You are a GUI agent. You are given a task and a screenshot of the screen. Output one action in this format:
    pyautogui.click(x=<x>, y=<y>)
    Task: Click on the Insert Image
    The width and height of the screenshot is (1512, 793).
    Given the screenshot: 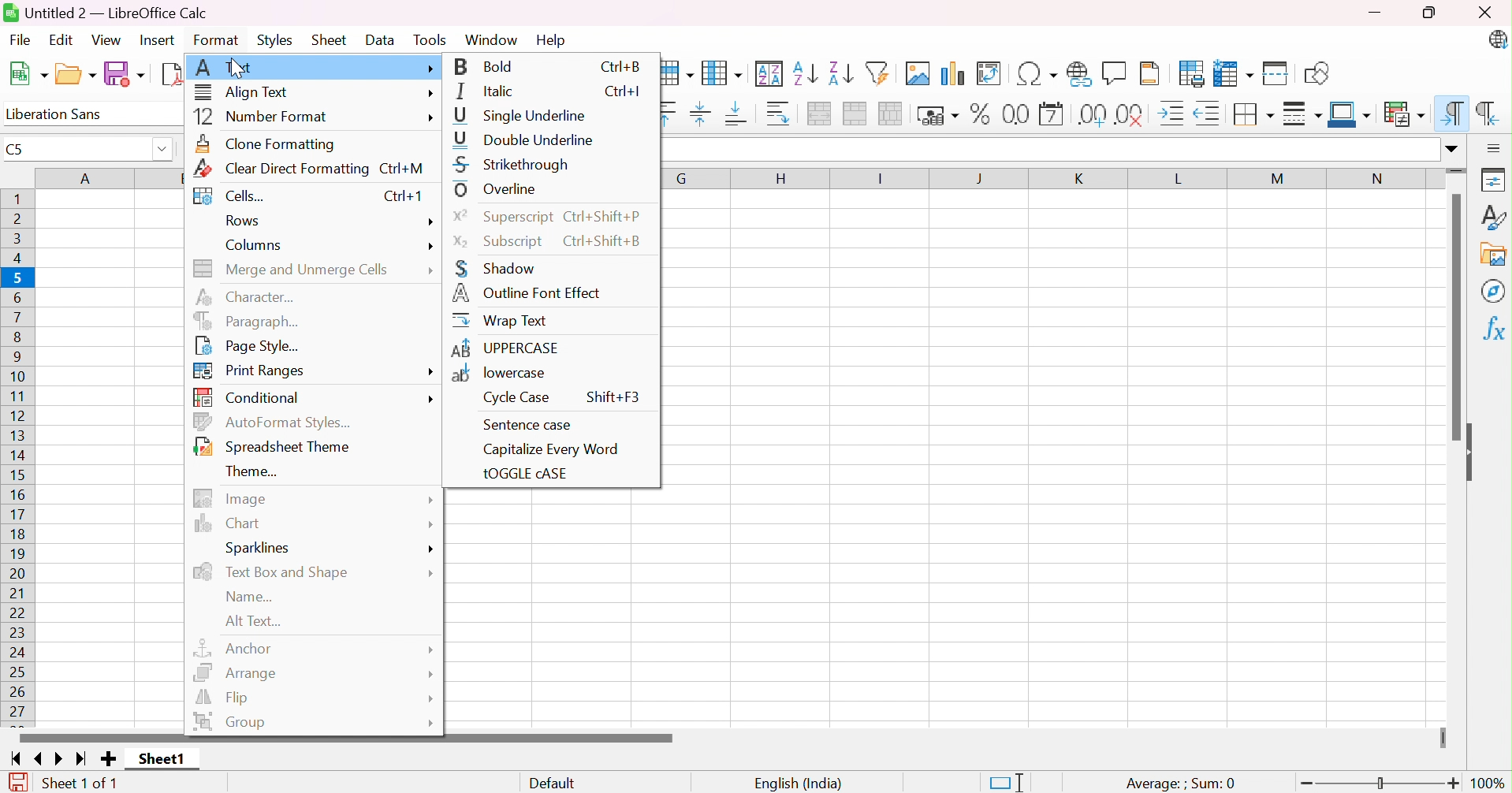 What is the action you would take?
    pyautogui.click(x=920, y=73)
    